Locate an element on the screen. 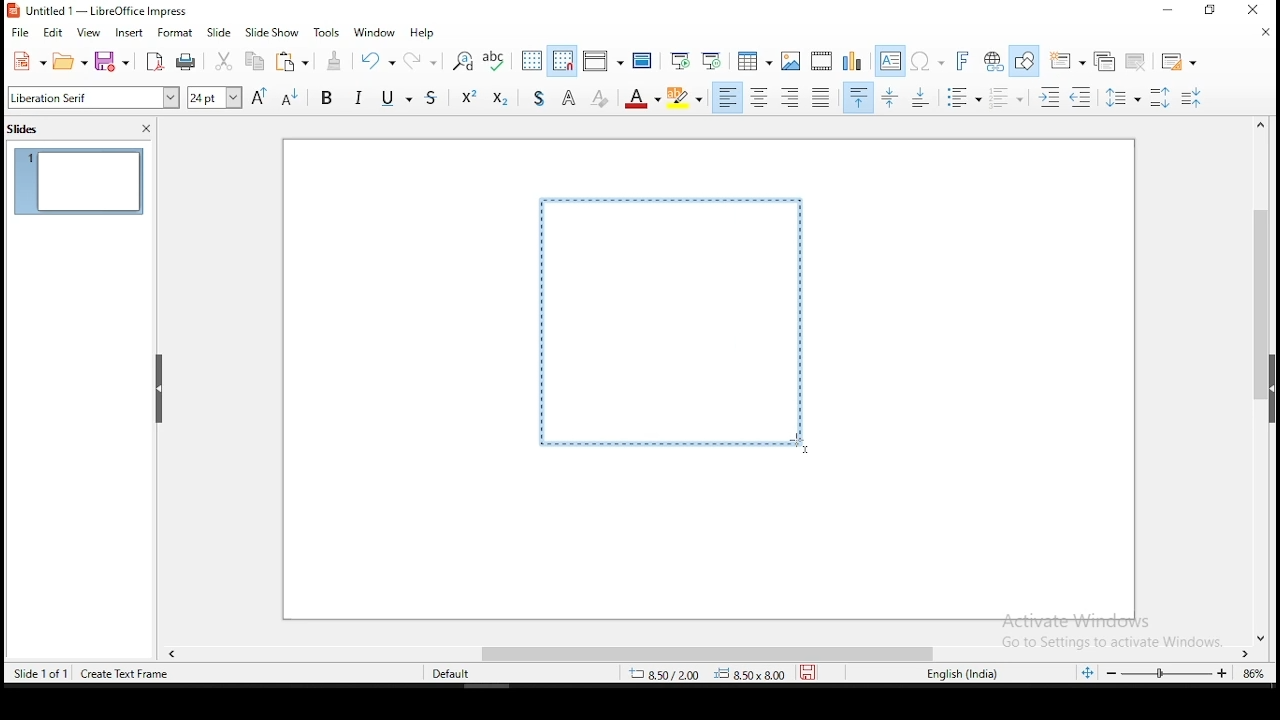 The height and width of the screenshot is (720, 1280). copy is located at coordinates (256, 62).